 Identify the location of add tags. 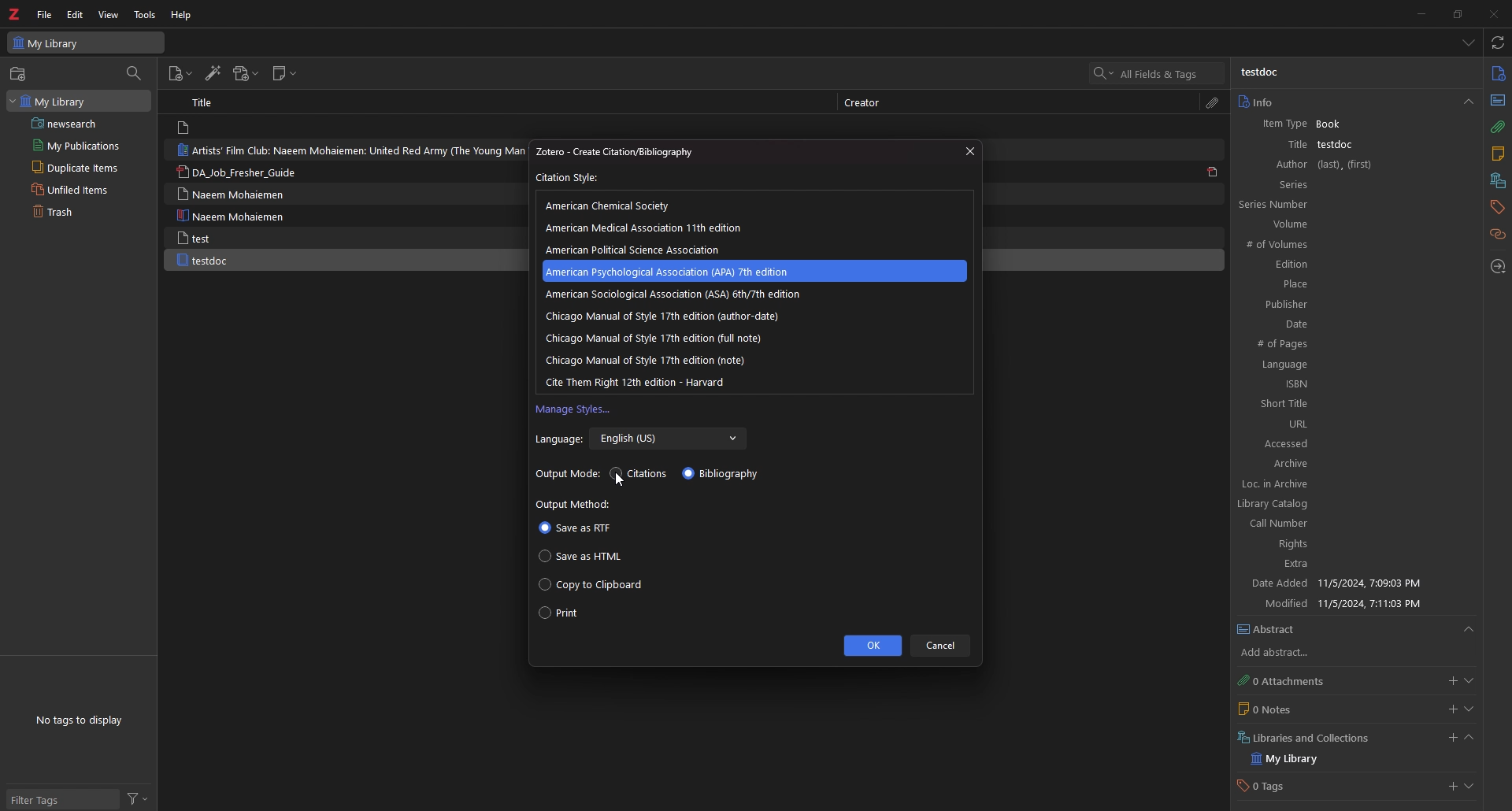
(1451, 788).